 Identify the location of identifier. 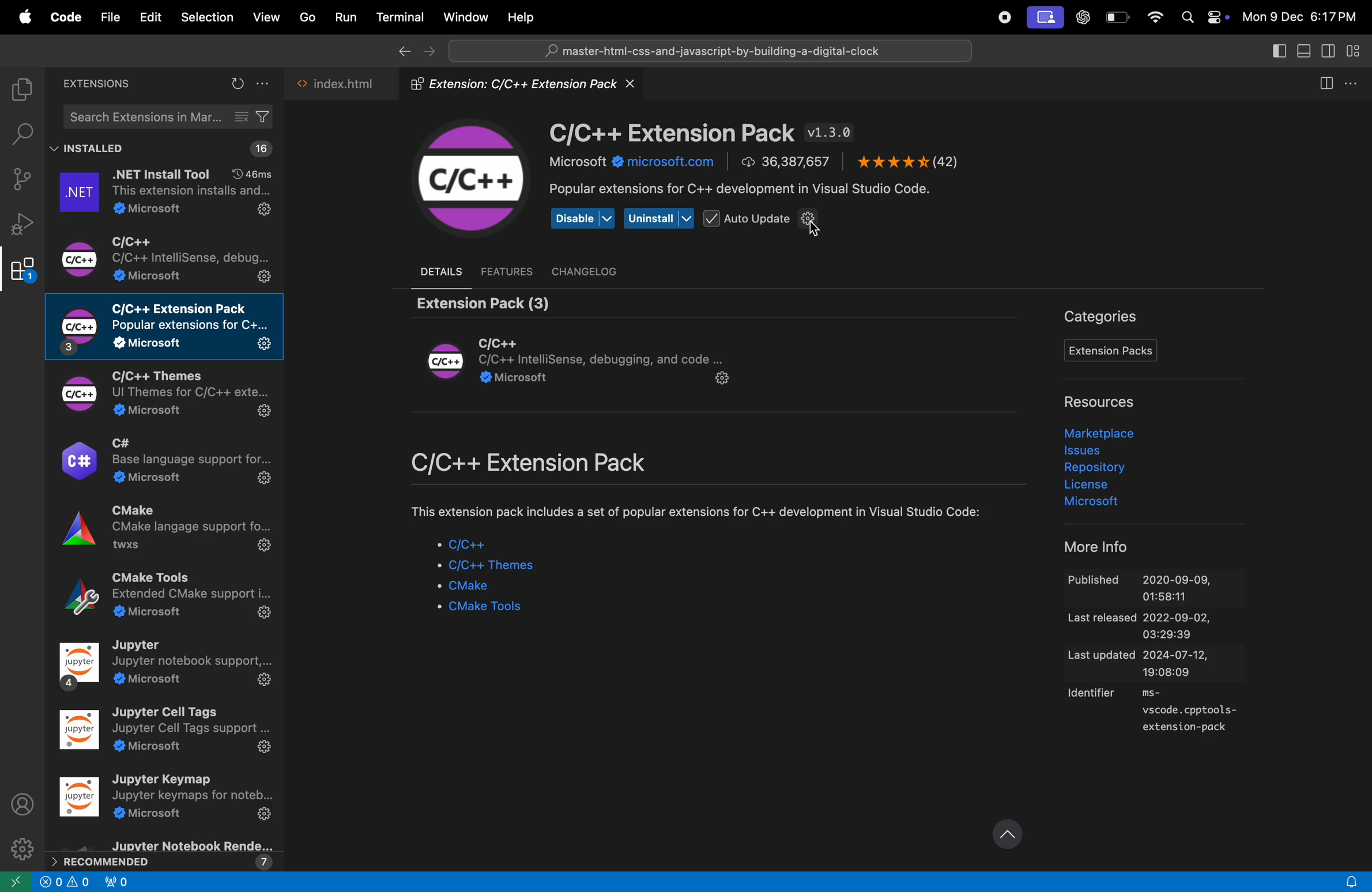
(1158, 713).